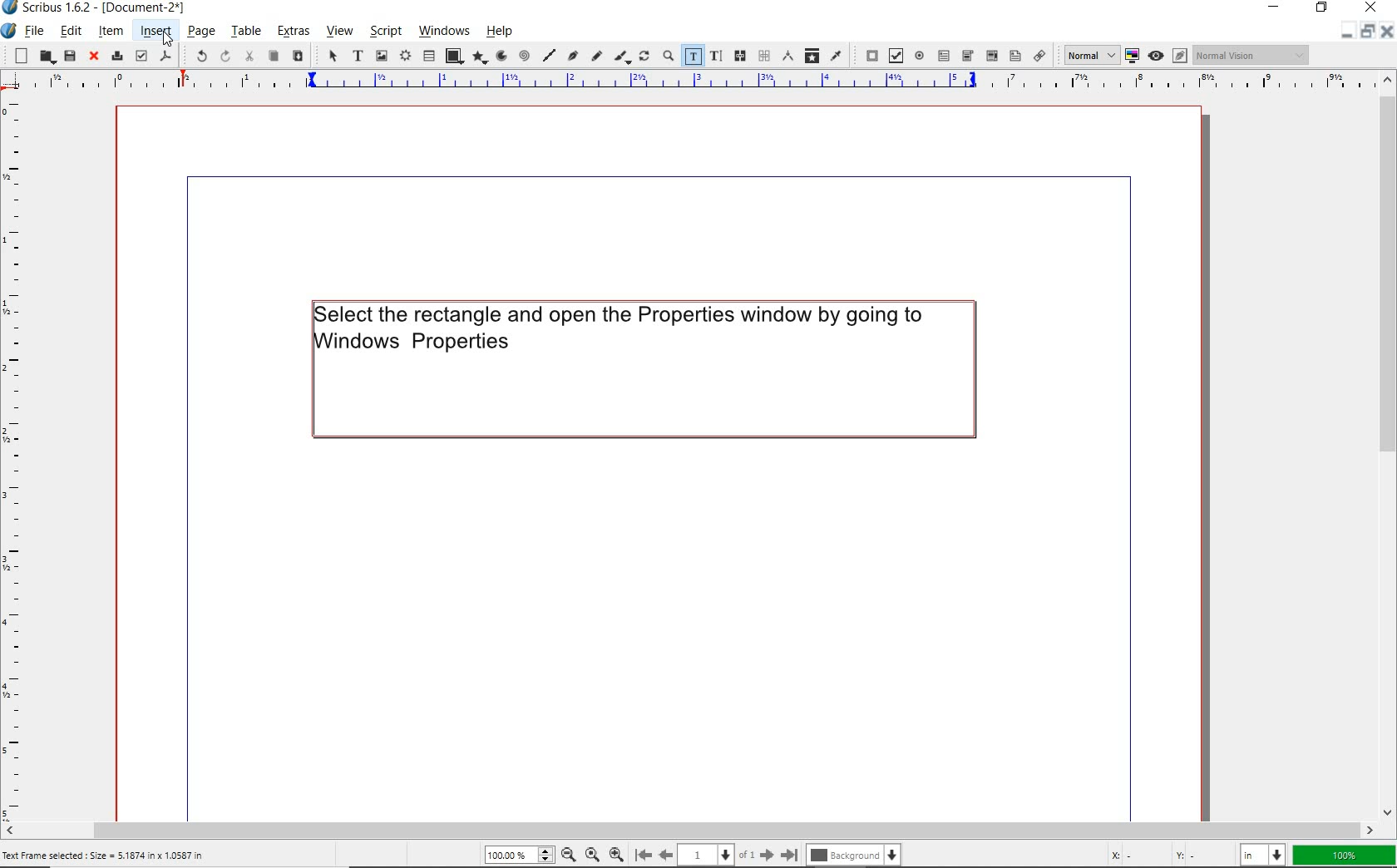 This screenshot has height=868, width=1397. I want to click on 100.00%, so click(517, 855).